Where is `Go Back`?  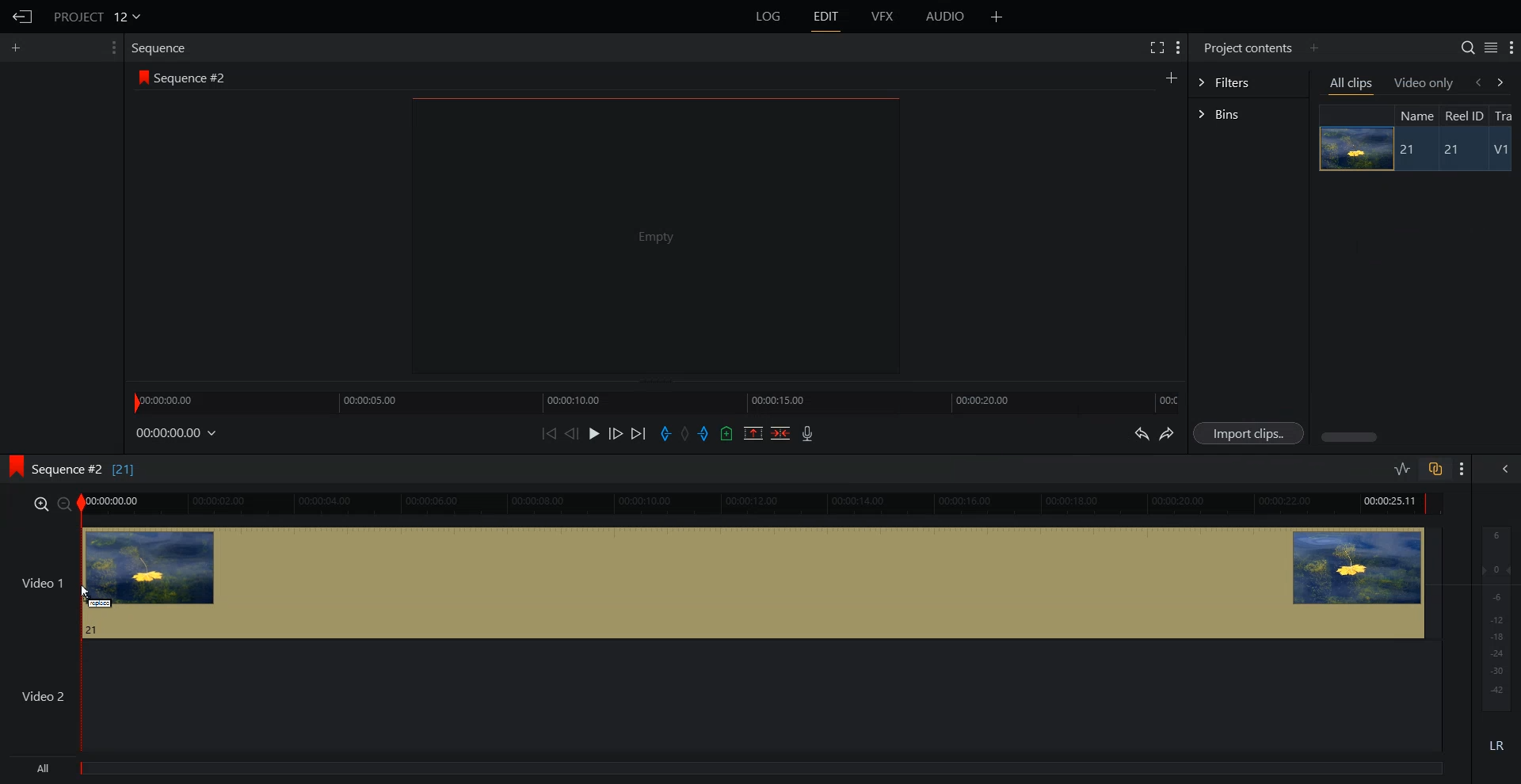
Go Back is located at coordinates (21, 17).